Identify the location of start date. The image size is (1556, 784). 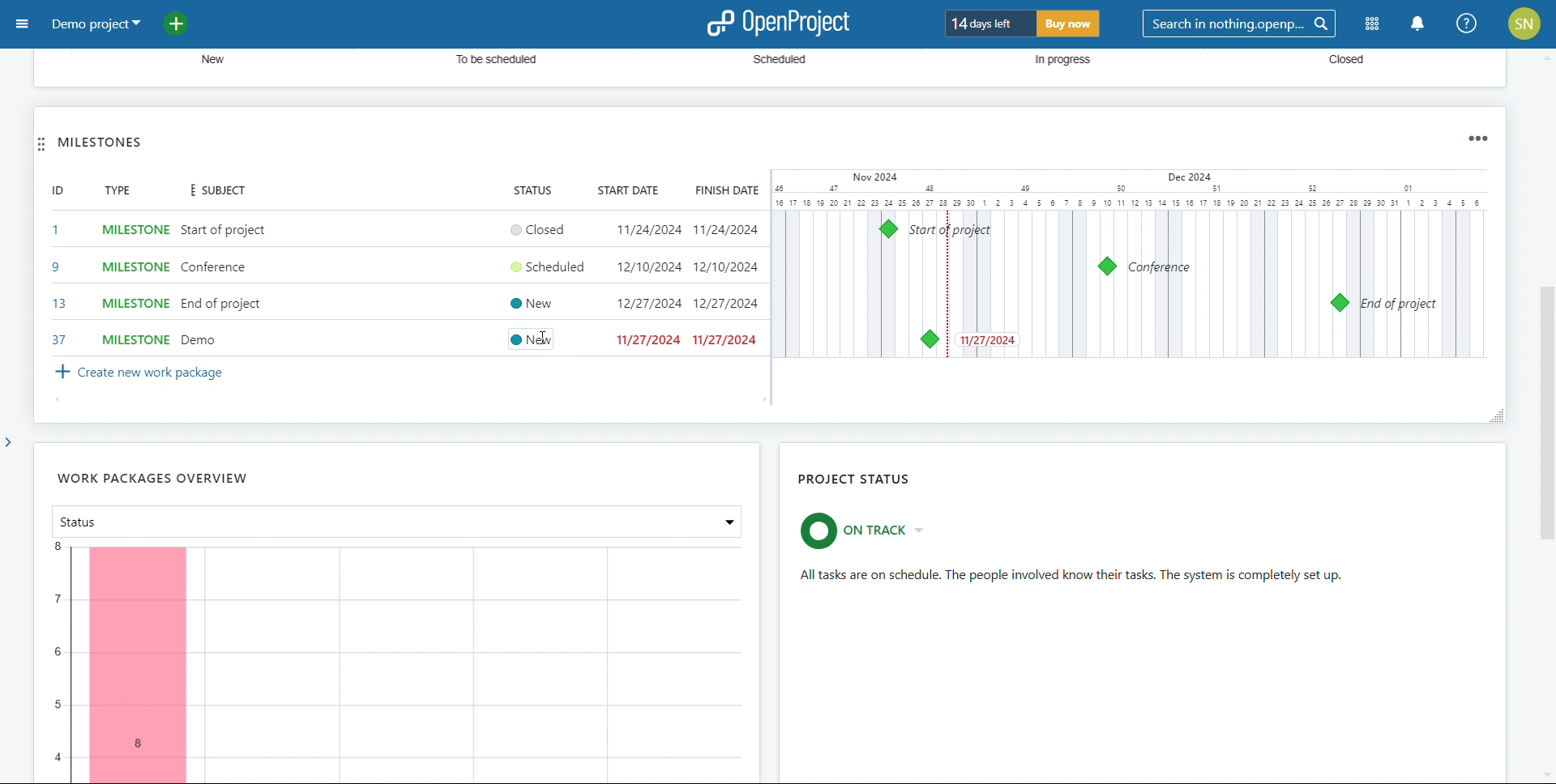
(626, 190).